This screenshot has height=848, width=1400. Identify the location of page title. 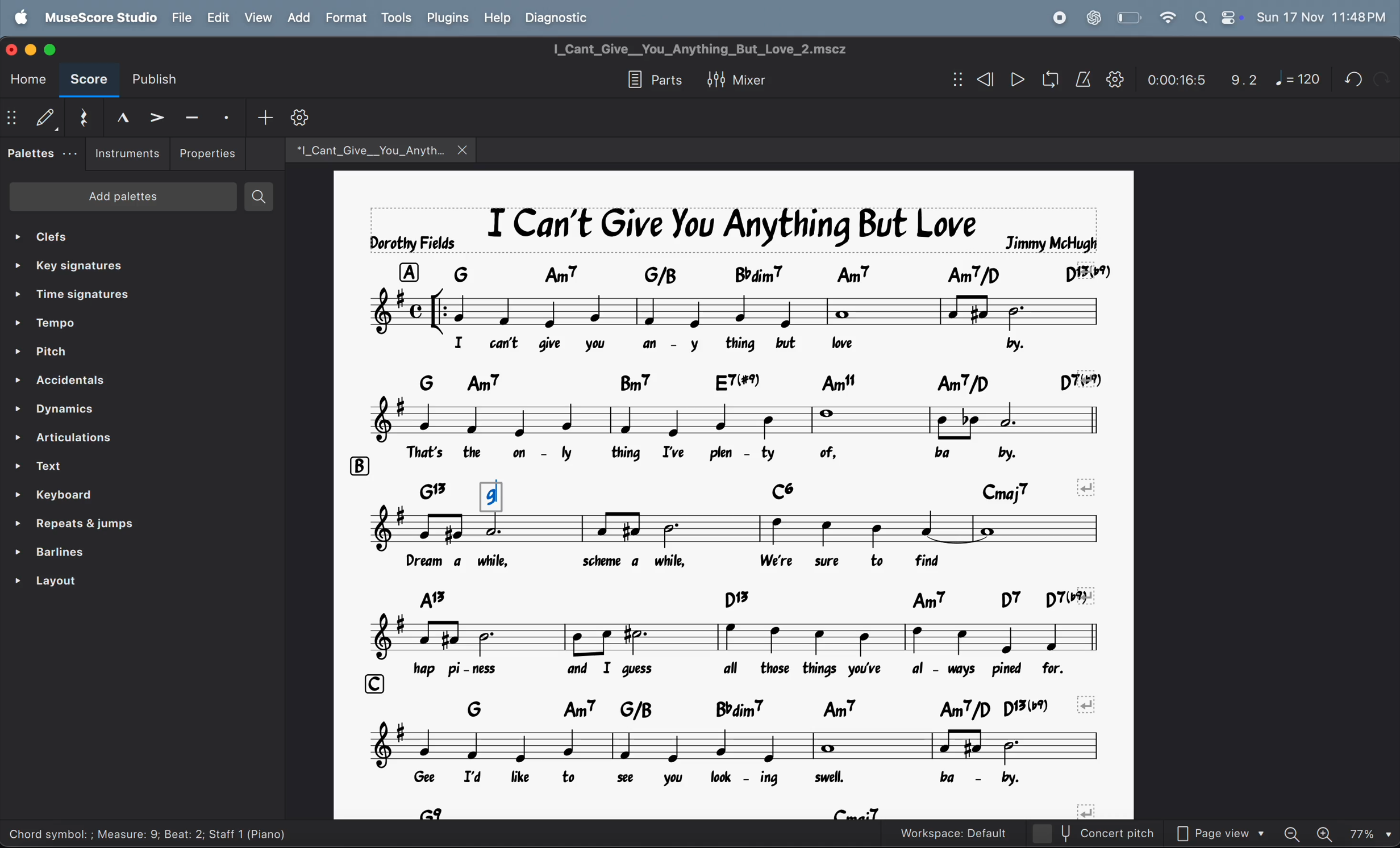
(734, 228).